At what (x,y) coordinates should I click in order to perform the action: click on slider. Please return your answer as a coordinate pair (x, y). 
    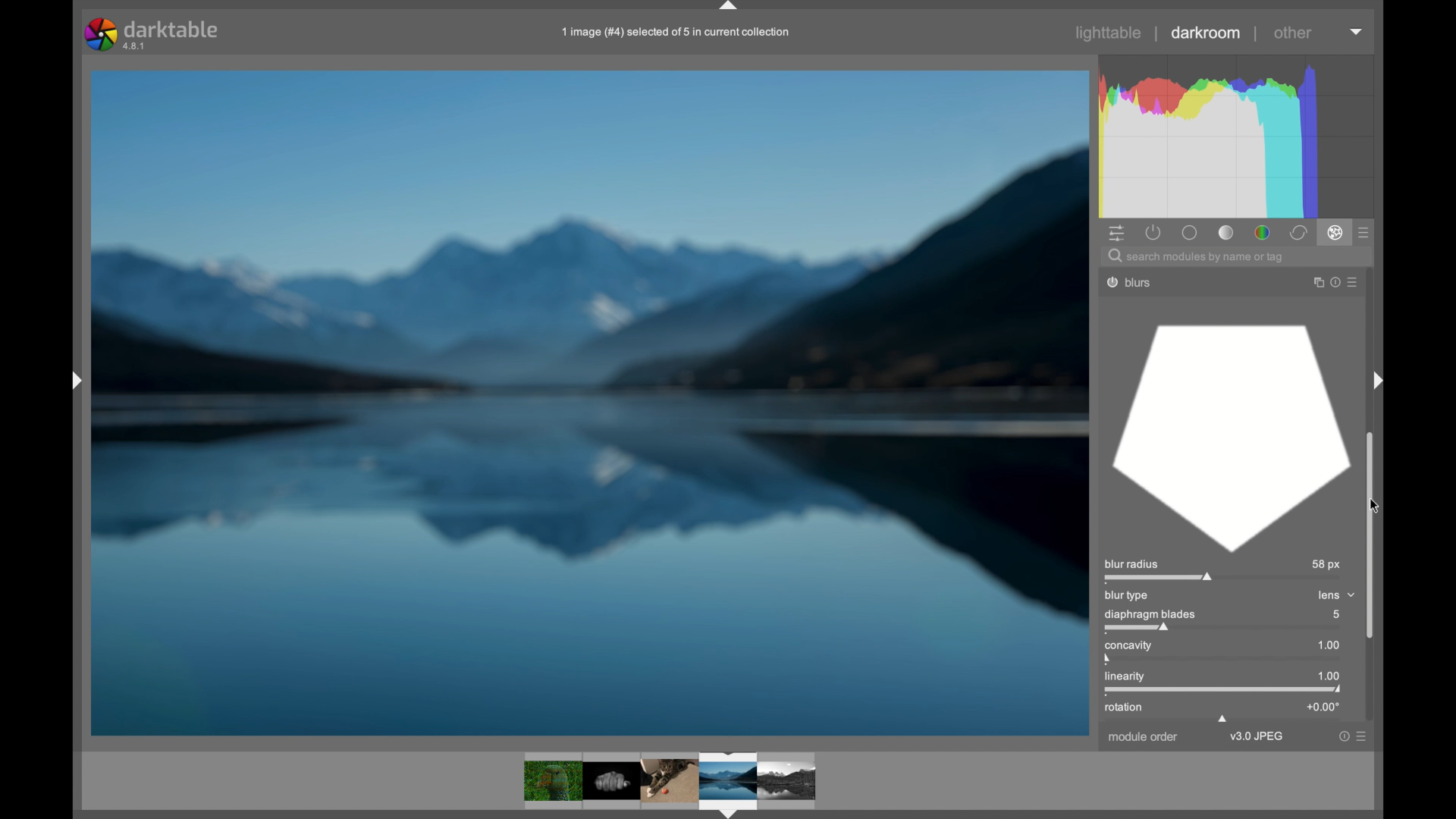
    Looking at the image, I should click on (1221, 579).